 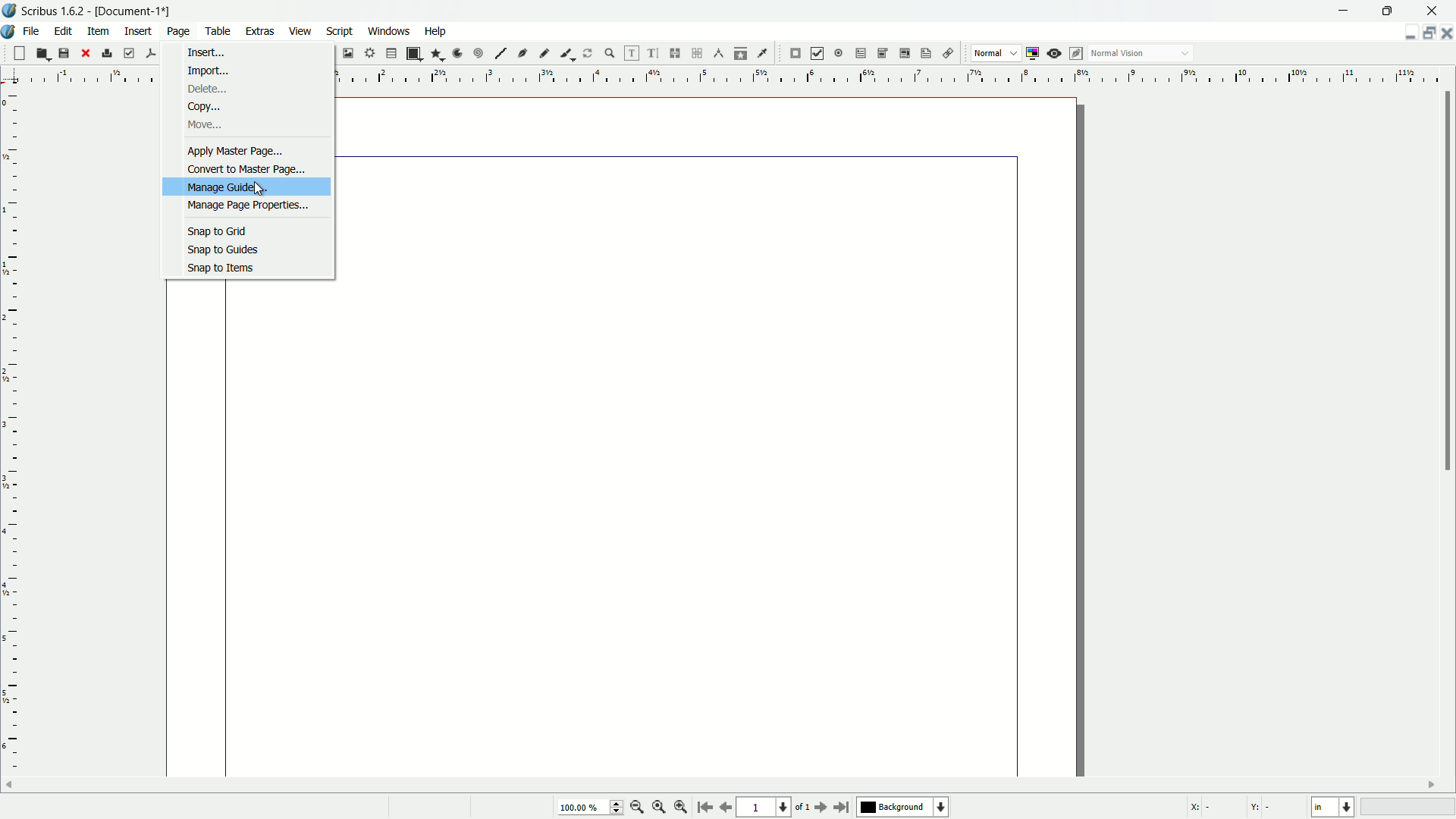 What do you see at coordinates (659, 808) in the screenshot?
I see `zoom to 100%` at bounding box center [659, 808].